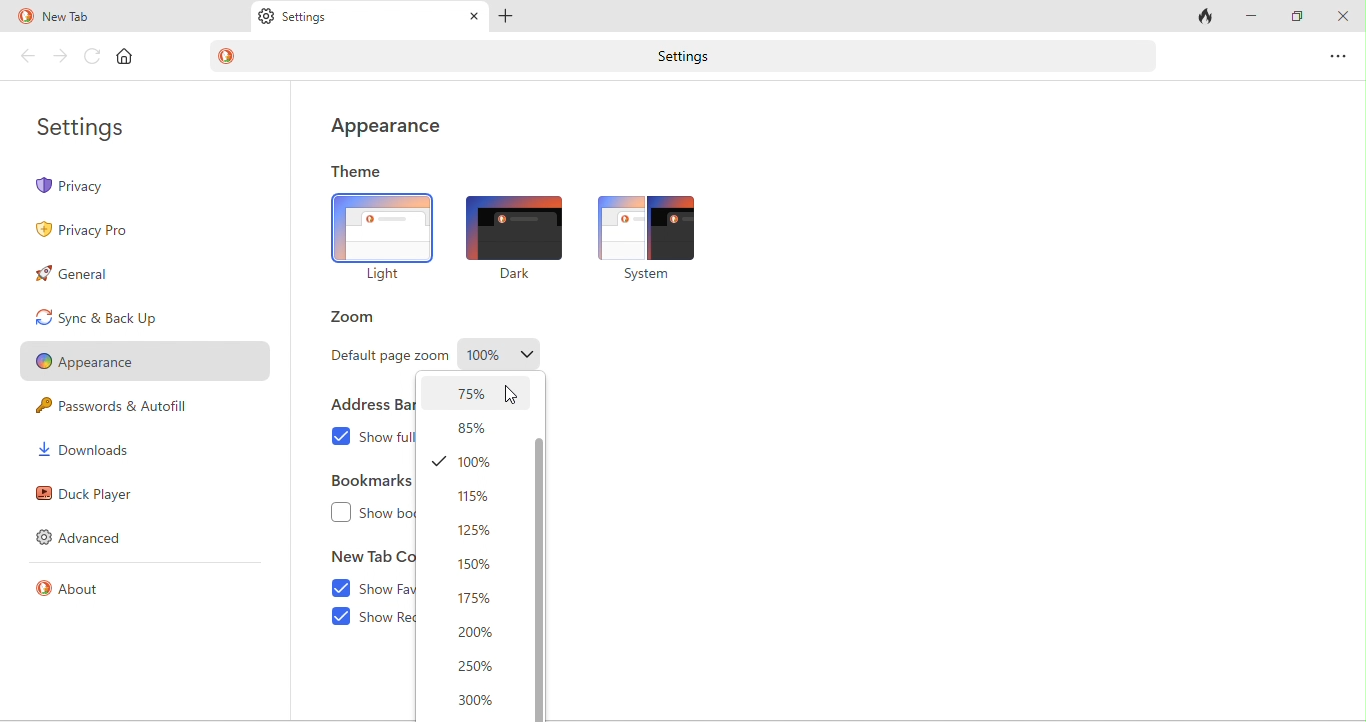  Describe the element at coordinates (648, 226) in the screenshot. I see `system` at that location.